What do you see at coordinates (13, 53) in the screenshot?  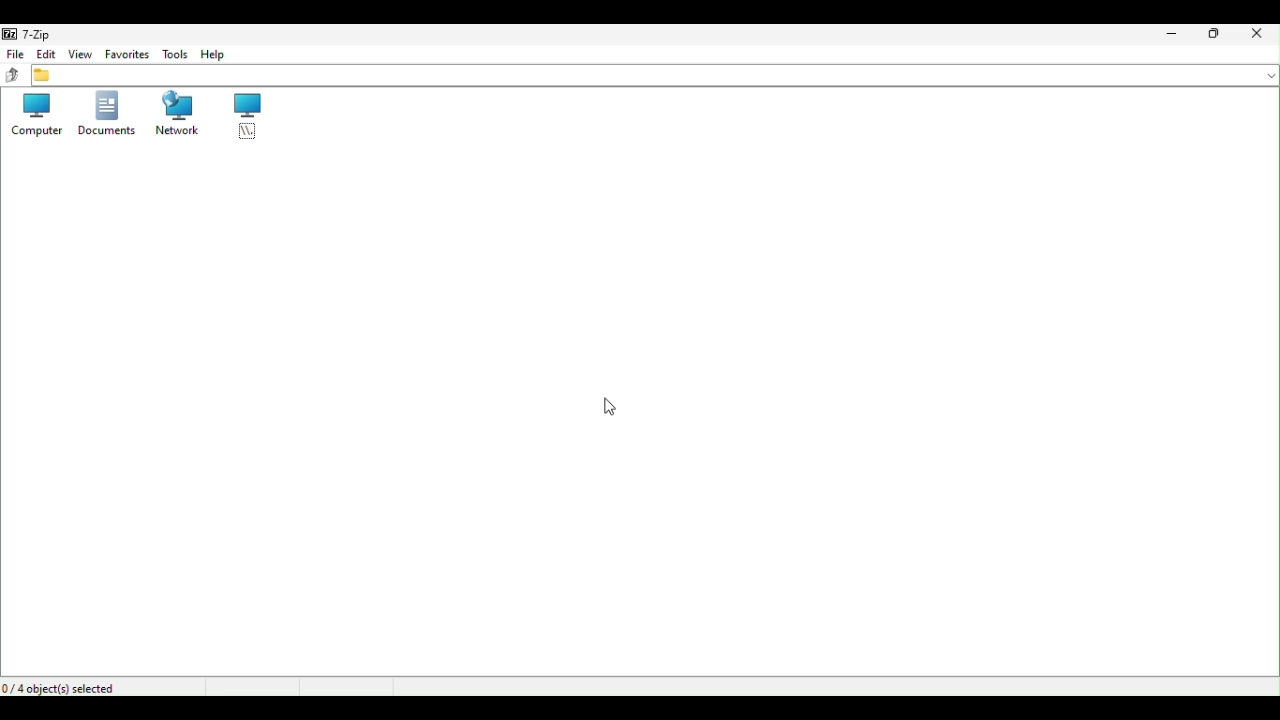 I see `File` at bounding box center [13, 53].